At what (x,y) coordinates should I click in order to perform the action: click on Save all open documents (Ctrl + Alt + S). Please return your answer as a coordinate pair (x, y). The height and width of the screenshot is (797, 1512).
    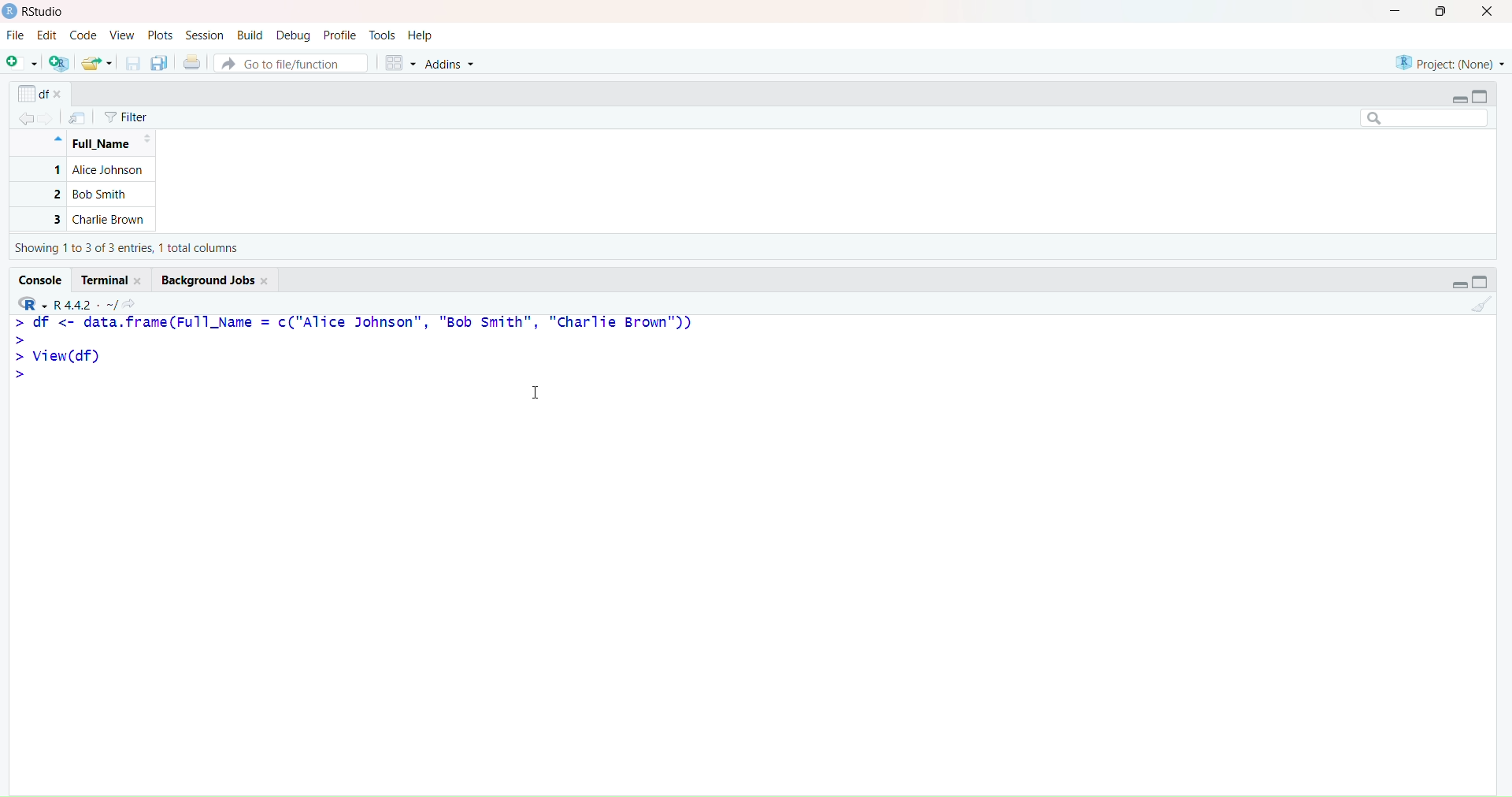
    Looking at the image, I should click on (159, 63).